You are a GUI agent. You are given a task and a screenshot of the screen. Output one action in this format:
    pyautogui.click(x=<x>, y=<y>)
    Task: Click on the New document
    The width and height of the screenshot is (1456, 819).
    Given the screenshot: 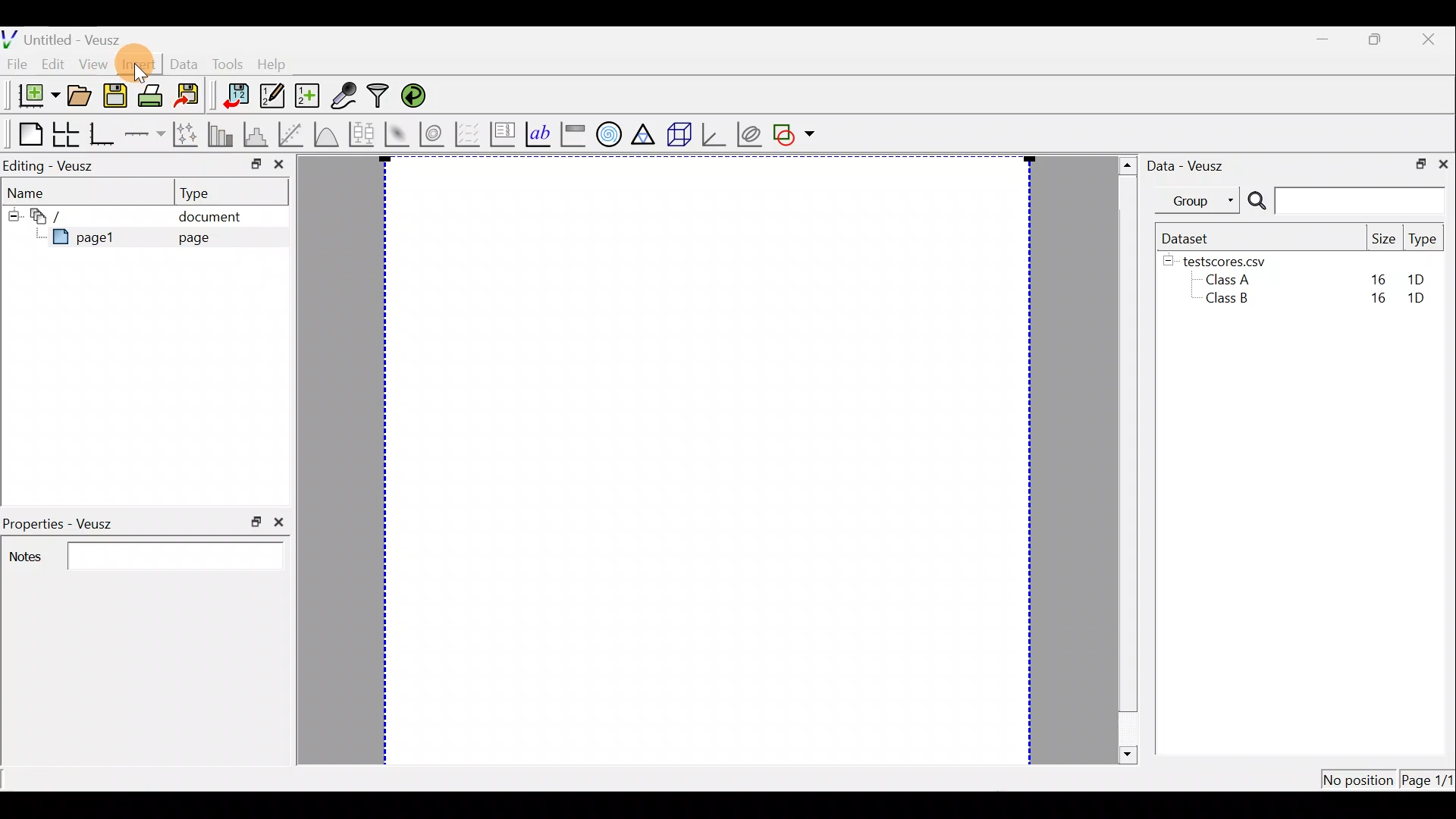 What is the action you would take?
    pyautogui.click(x=32, y=95)
    